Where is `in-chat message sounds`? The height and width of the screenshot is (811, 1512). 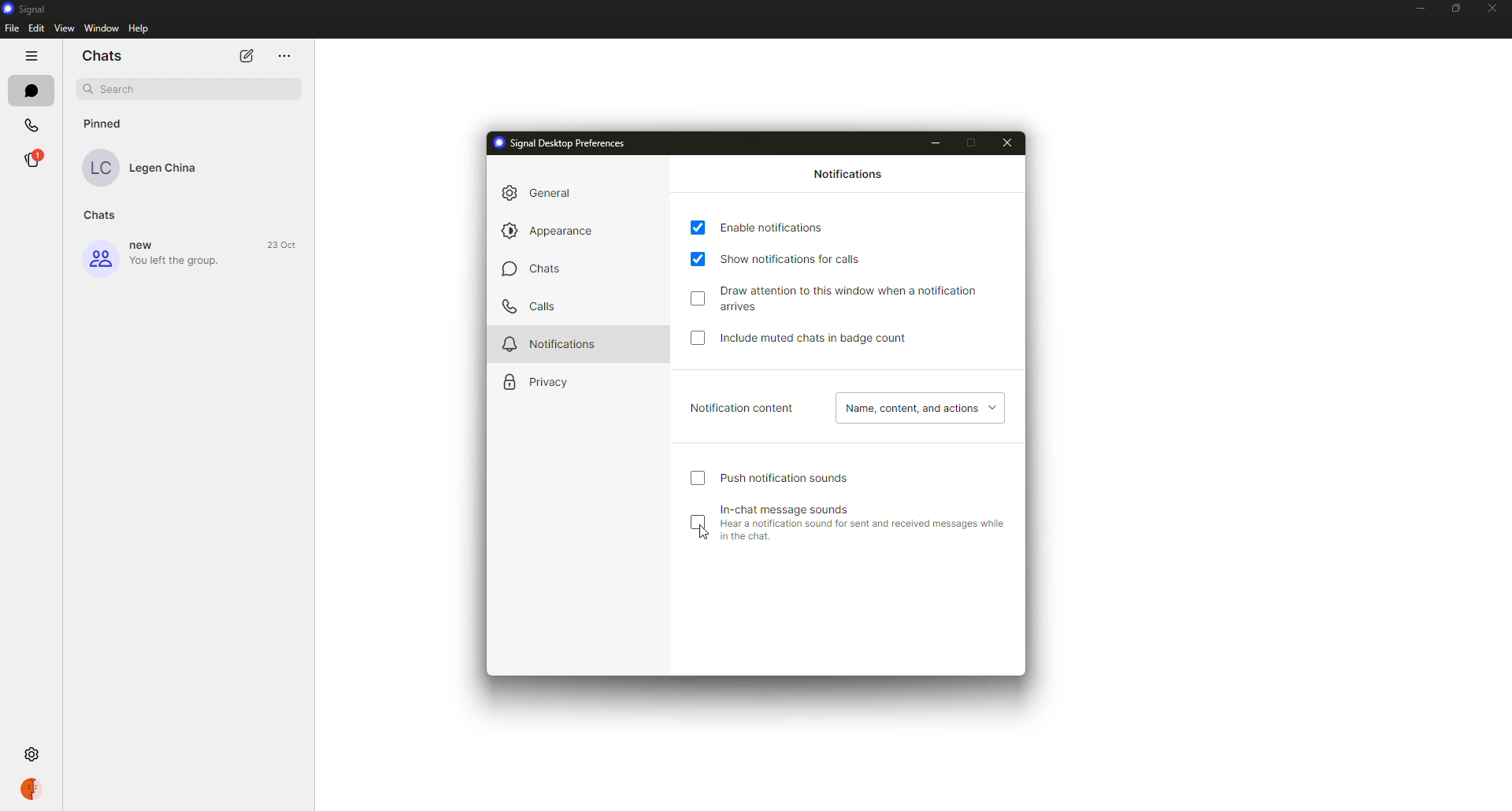
in-chat message sounds is located at coordinates (862, 521).